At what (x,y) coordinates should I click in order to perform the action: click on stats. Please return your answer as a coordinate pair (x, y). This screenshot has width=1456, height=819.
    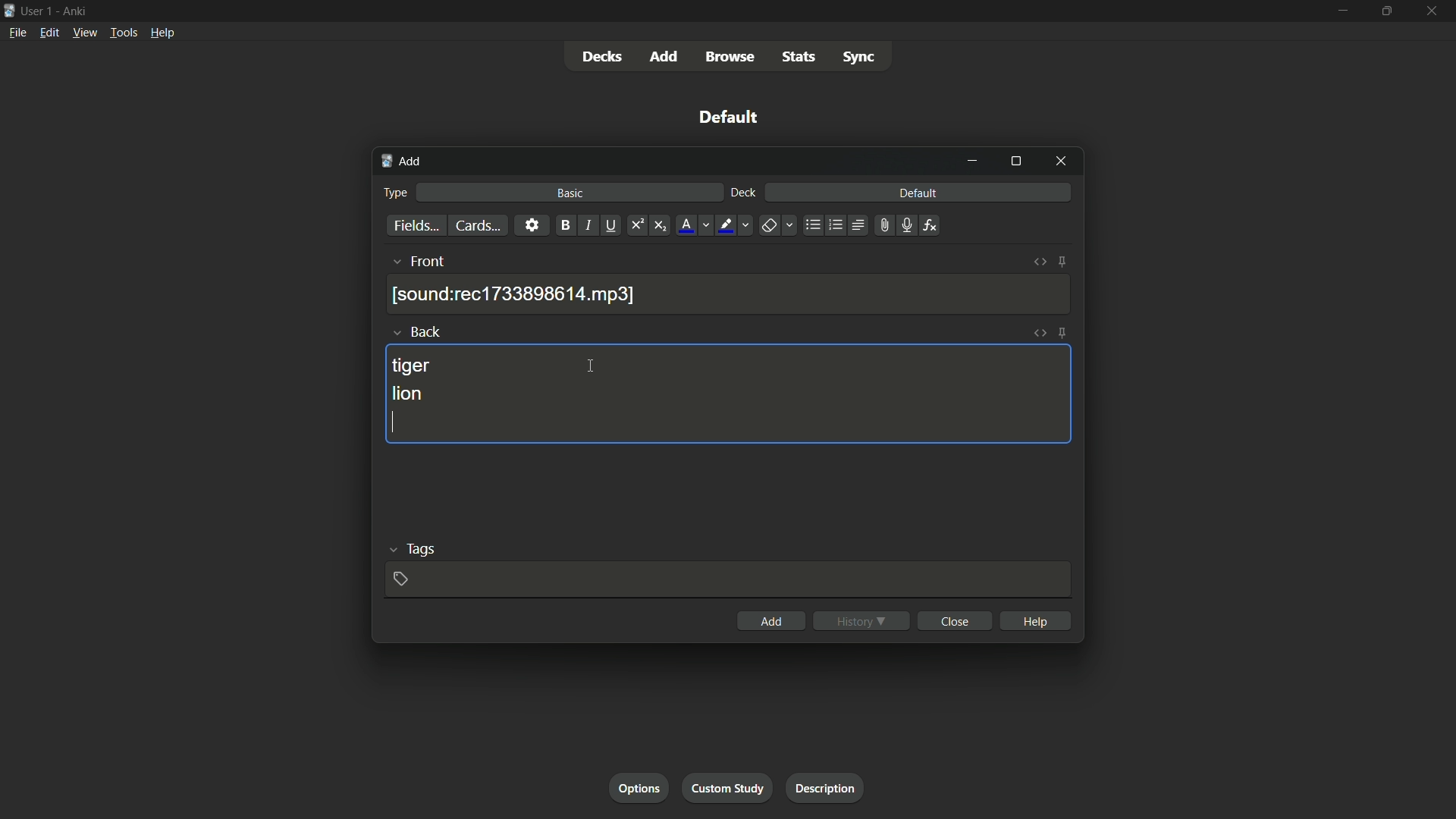
    Looking at the image, I should click on (802, 58).